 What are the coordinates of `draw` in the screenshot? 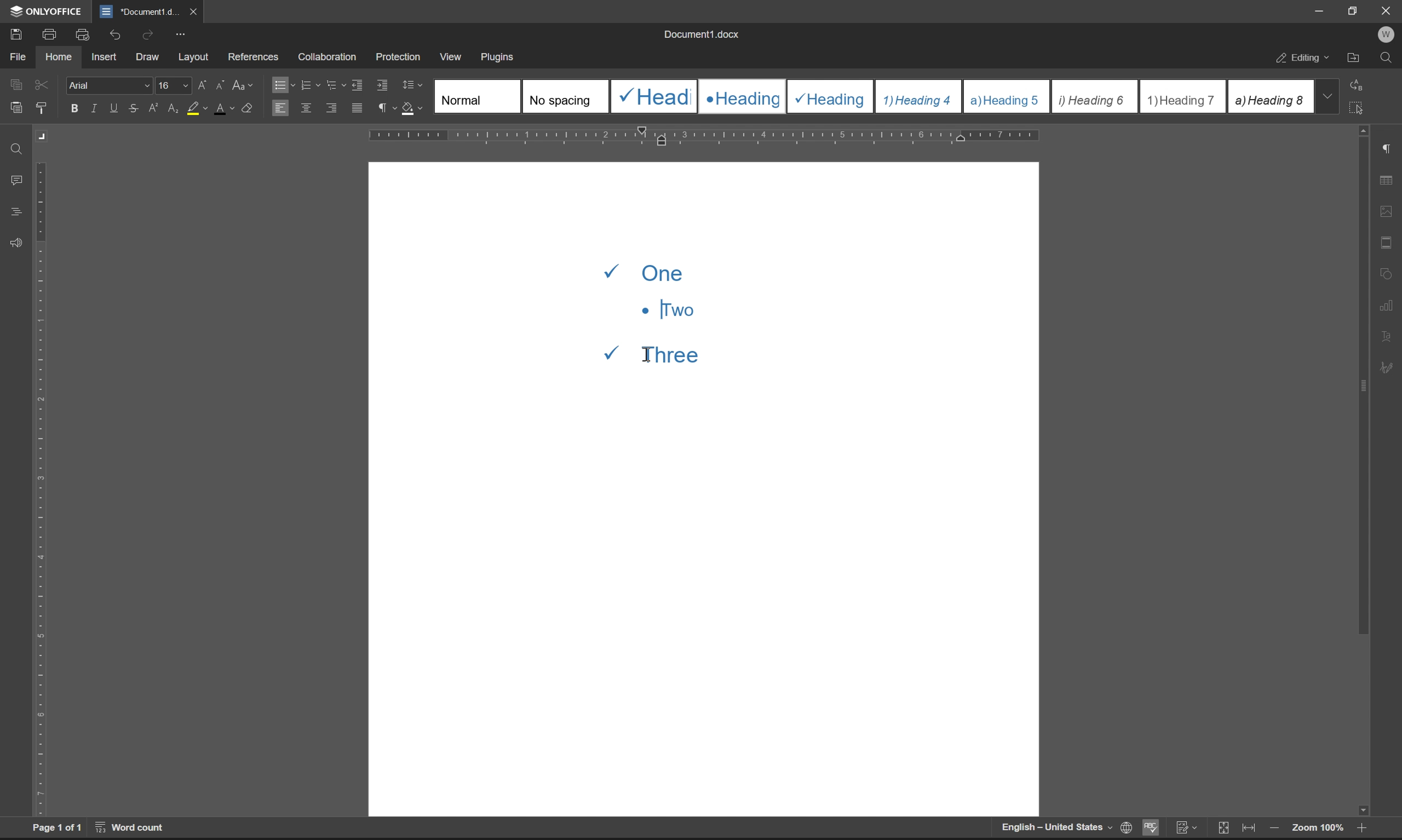 It's located at (151, 58).